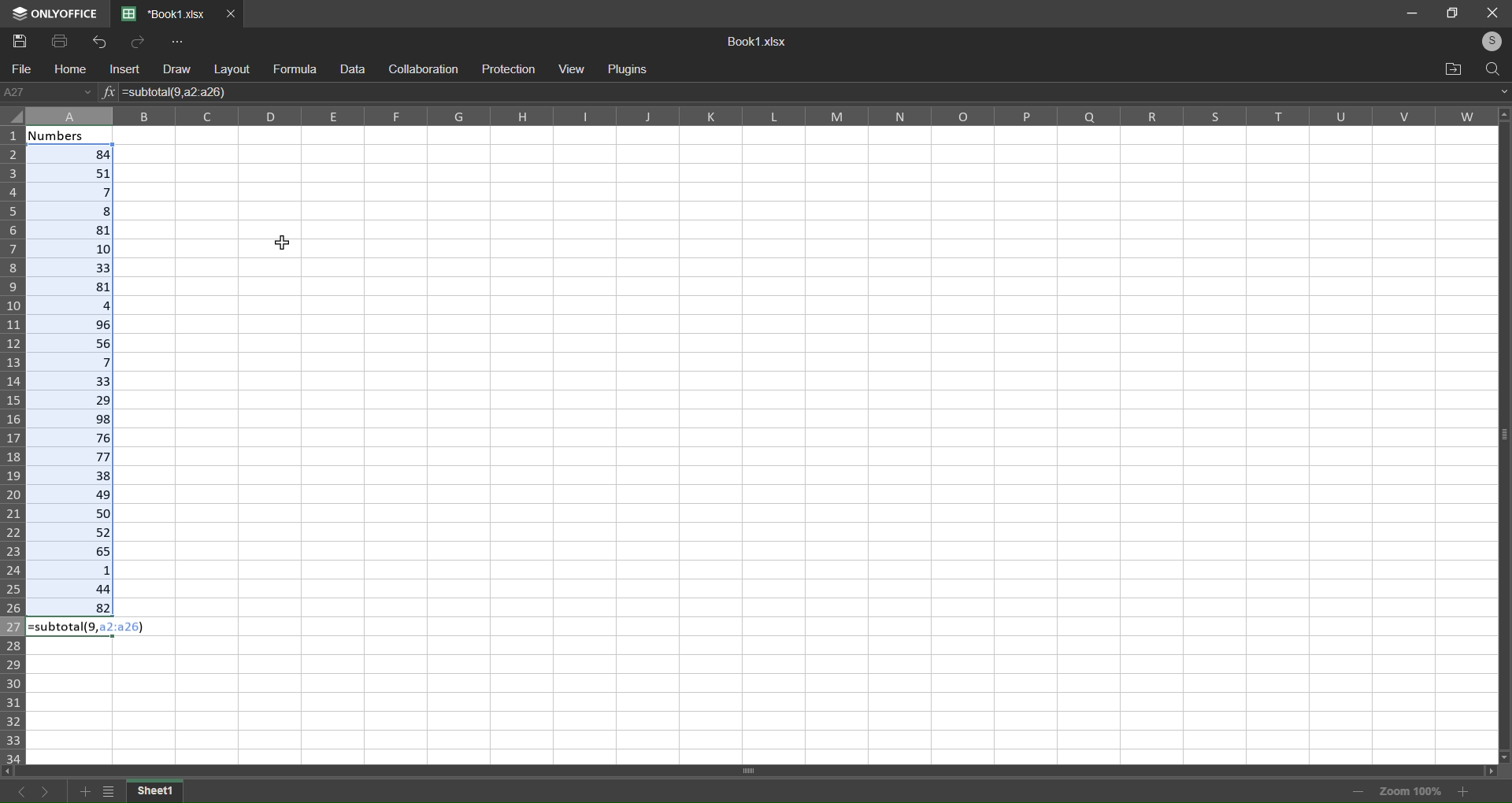 The image size is (1512, 803). I want to click on Column label, so click(760, 116).